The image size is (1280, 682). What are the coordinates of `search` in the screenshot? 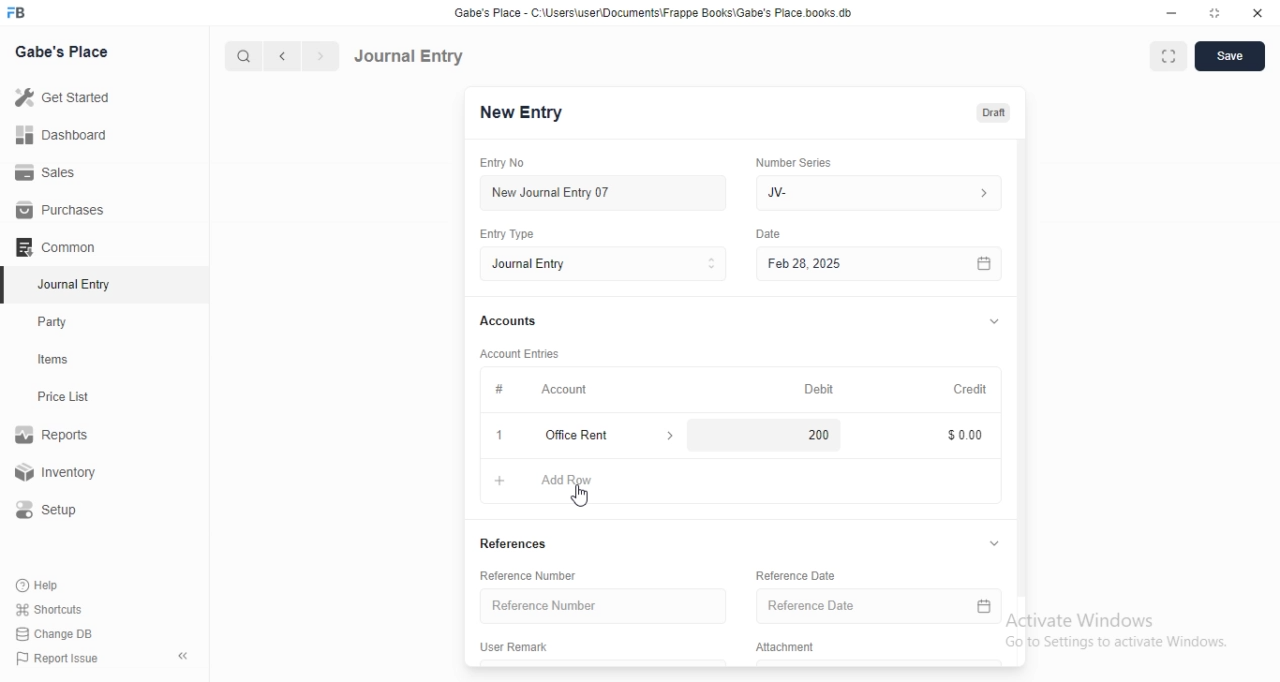 It's located at (241, 56).